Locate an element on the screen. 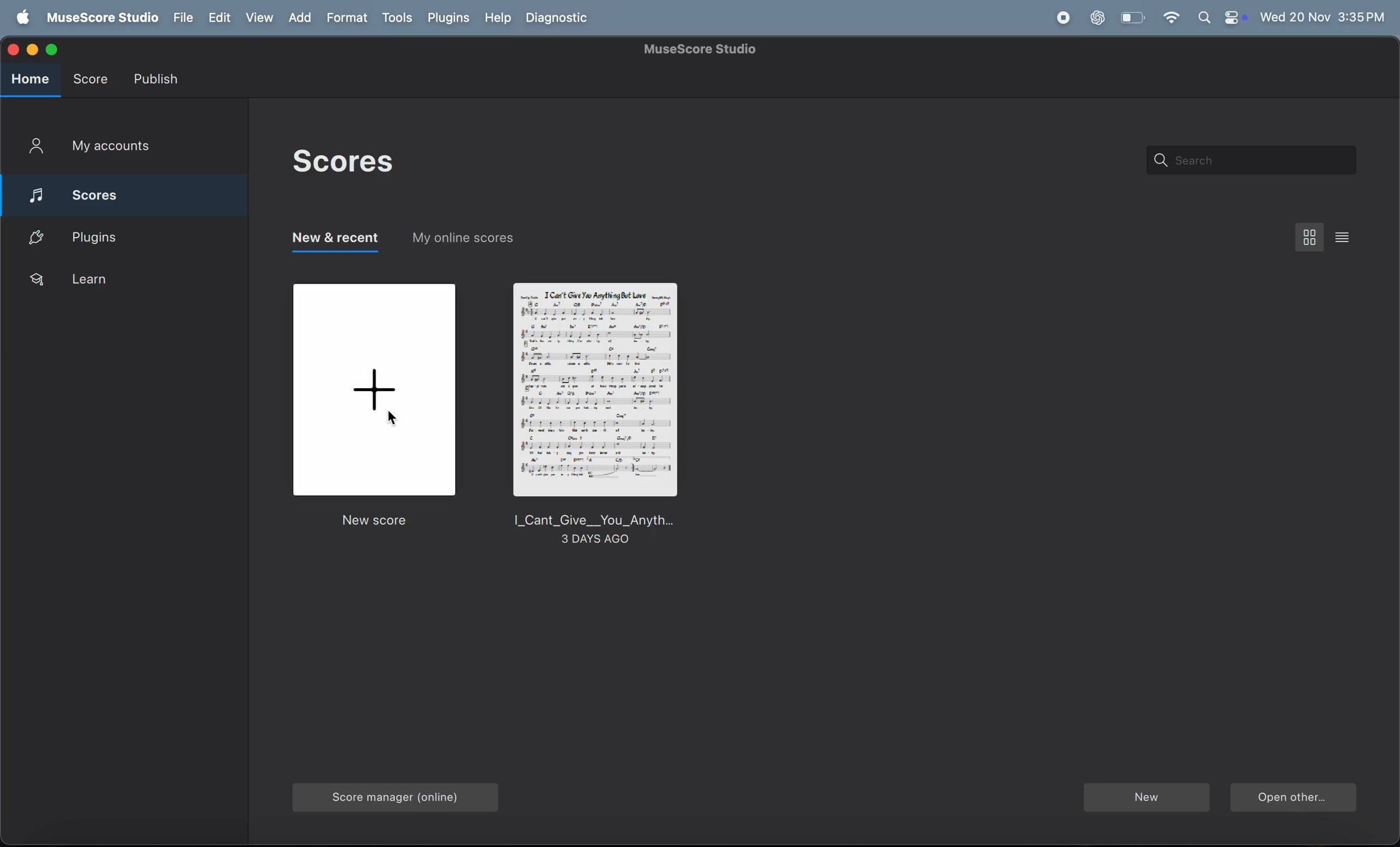 This screenshot has width=1400, height=847. add is located at coordinates (304, 18).